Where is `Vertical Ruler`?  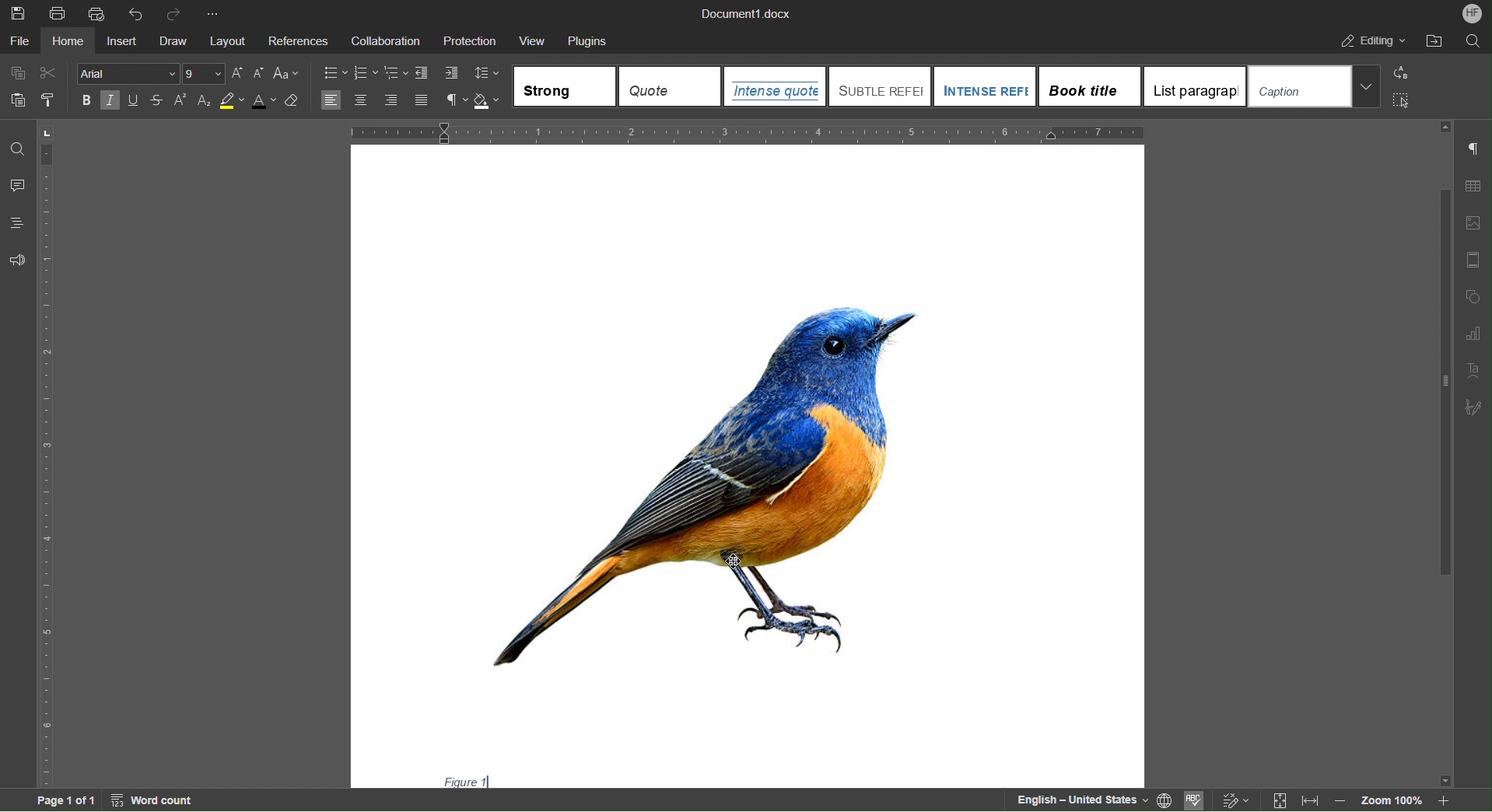 Vertical Ruler is located at coordinates (48, 452).